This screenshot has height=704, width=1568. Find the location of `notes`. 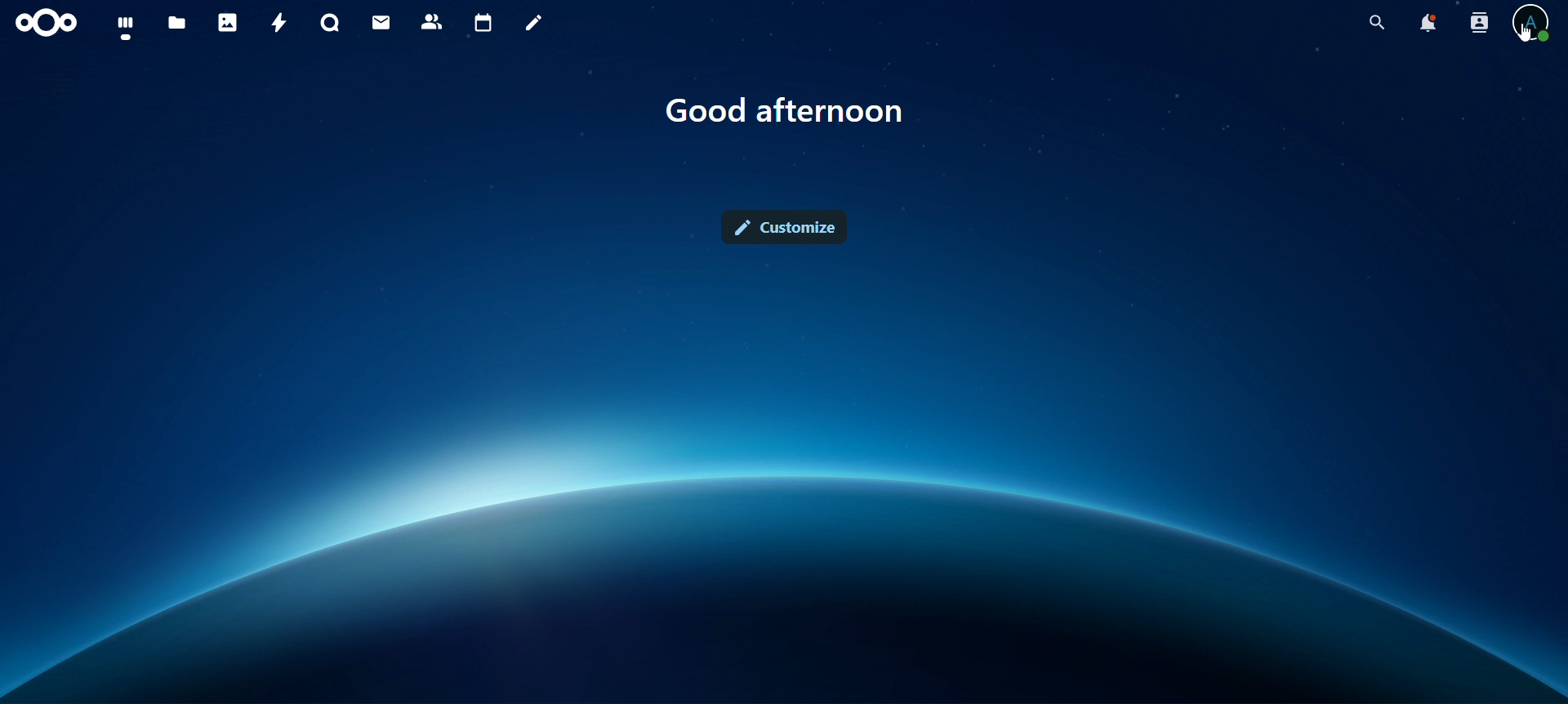

notes is located at coordinates (535, 24).